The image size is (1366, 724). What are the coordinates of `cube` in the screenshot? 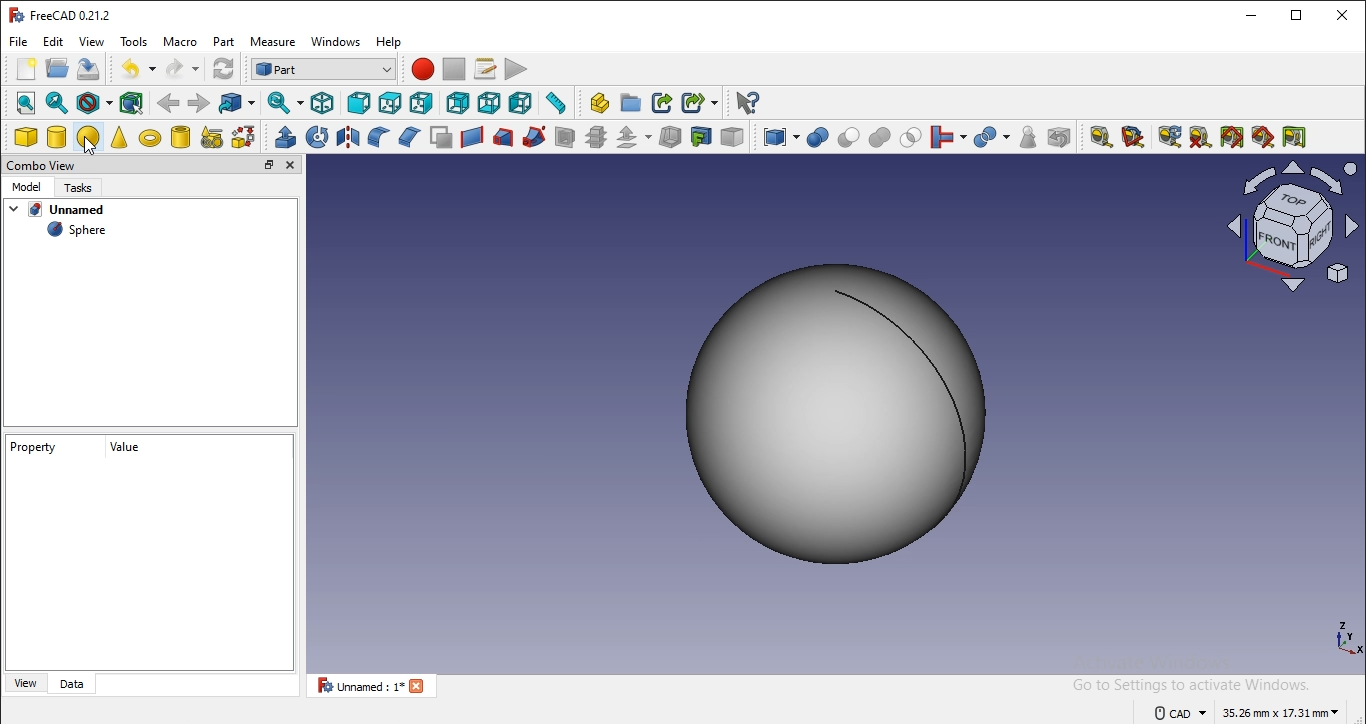 It's located at (24, 136).